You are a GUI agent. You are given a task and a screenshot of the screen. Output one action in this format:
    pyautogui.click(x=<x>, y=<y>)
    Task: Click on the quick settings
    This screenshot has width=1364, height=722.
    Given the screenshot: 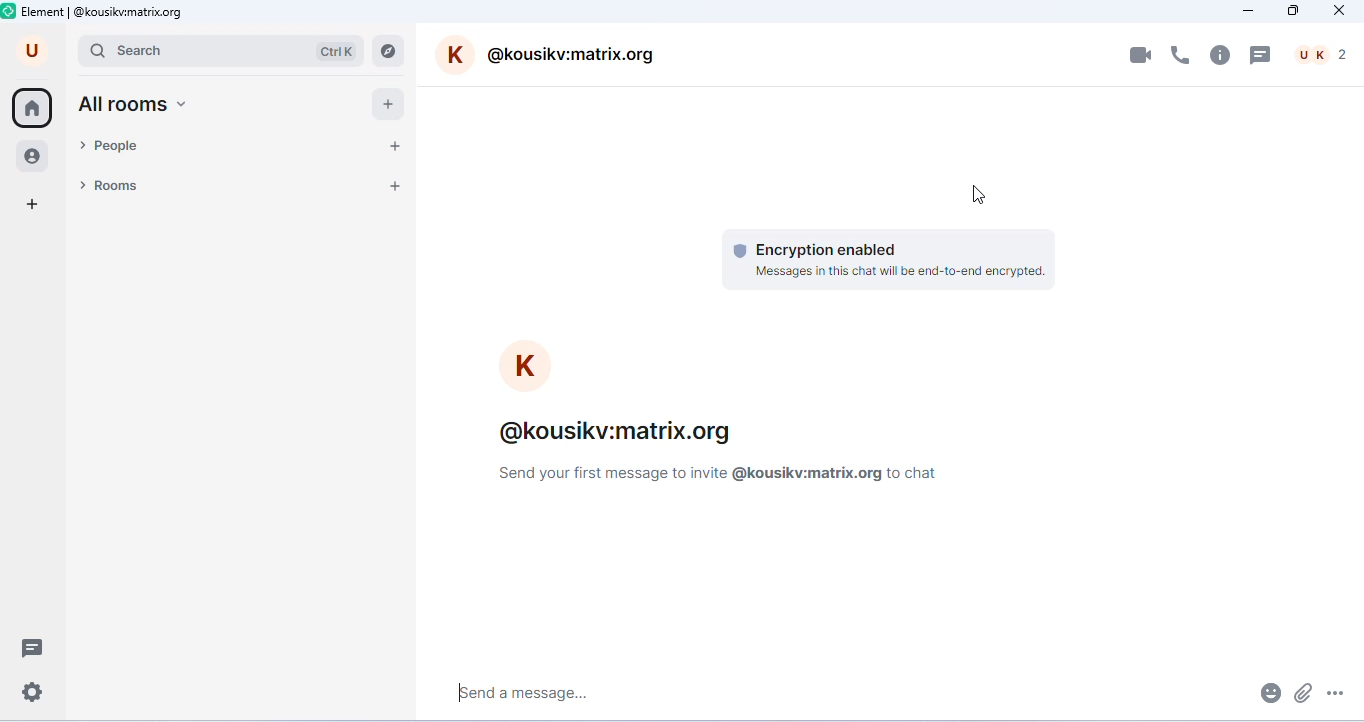 What is the action you would take?
    pyautogui.click(x=33, y=694)
    